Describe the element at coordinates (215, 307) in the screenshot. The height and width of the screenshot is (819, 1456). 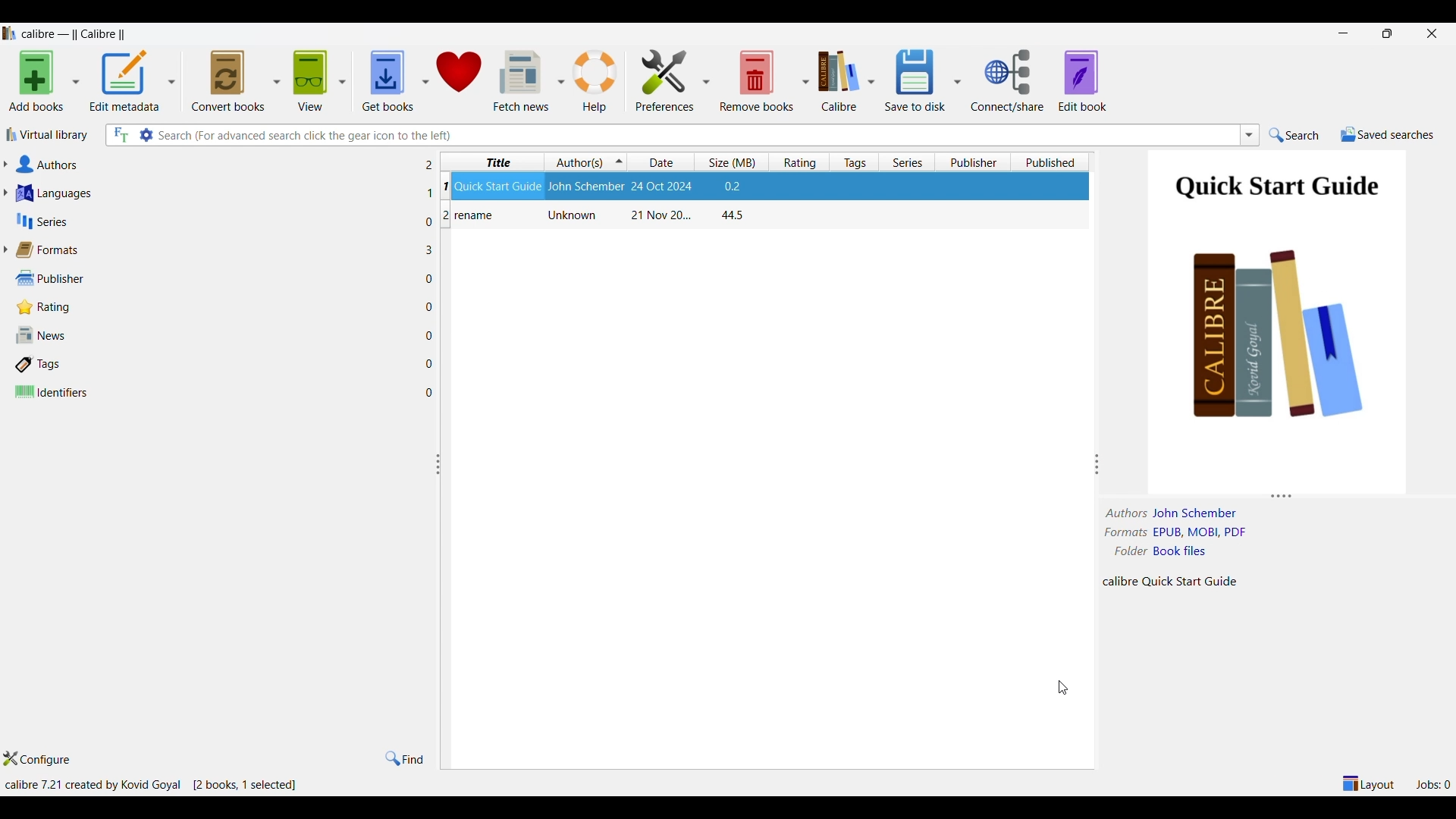
I see `Rating` at that location.